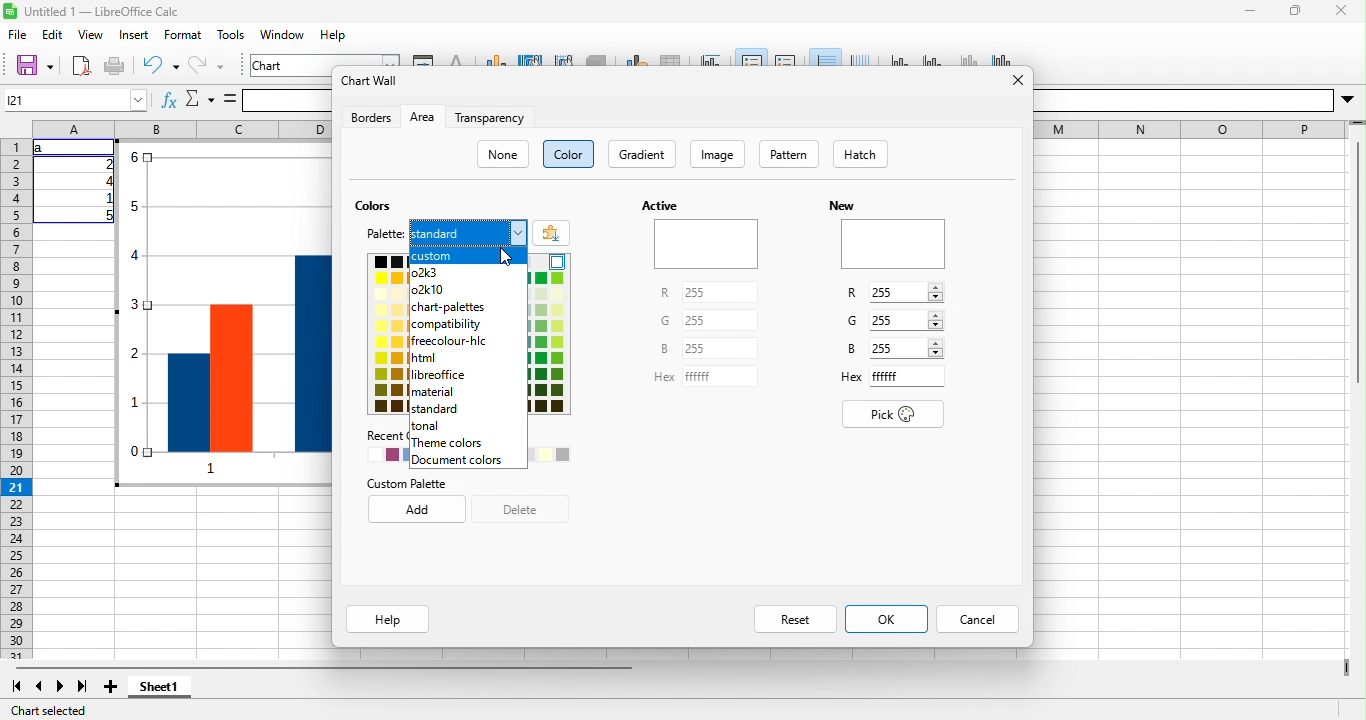 The height and width of the screenshot is (720, 1366). Describe the element at coordinates (967, 58) in the screenshot. I see `z axis` at that location.